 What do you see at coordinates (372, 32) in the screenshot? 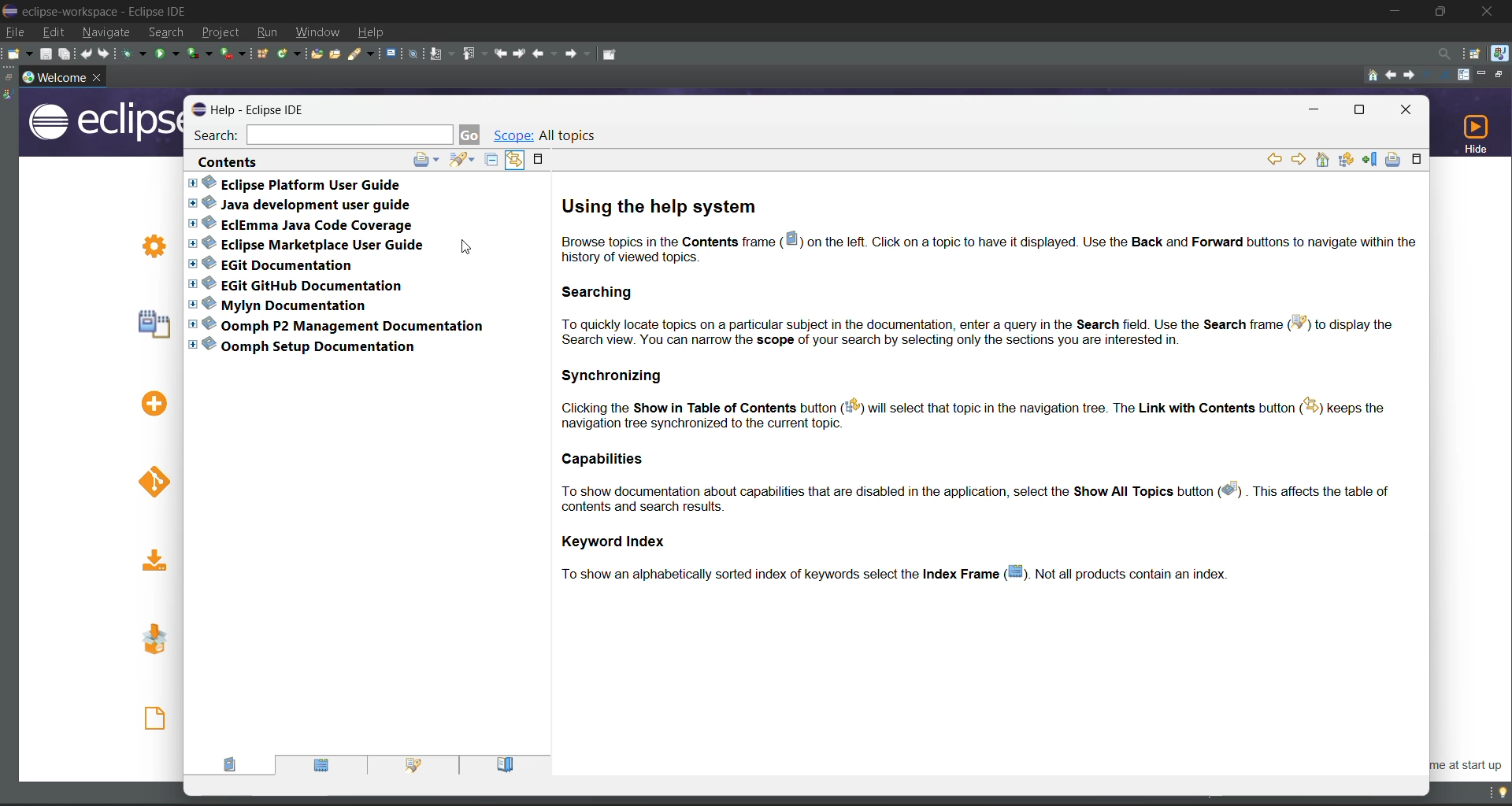
I see `help` at bounding box center [372, 32].